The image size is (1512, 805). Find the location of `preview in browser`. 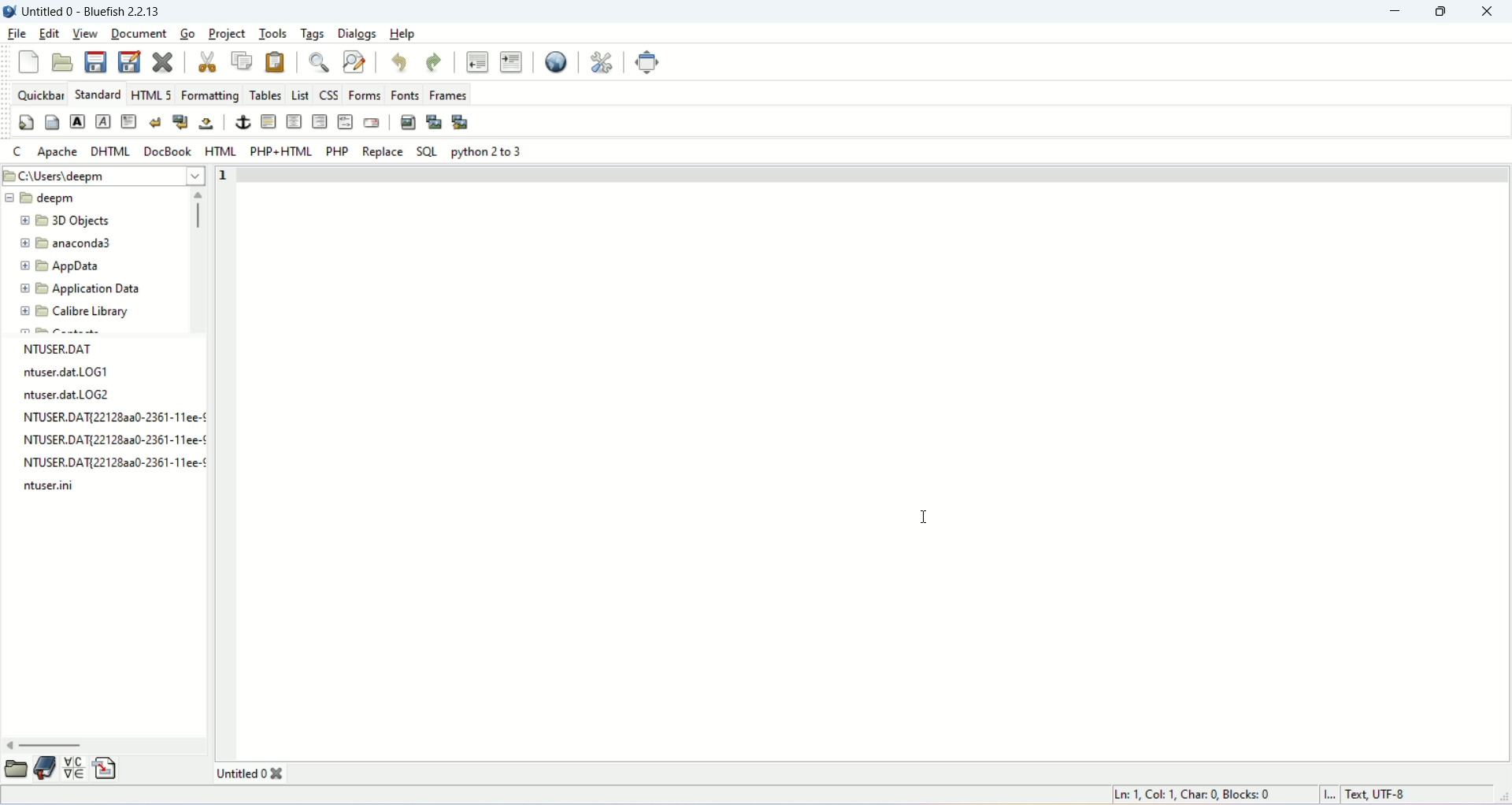

preview in browser is located at coordinates (554, 60).